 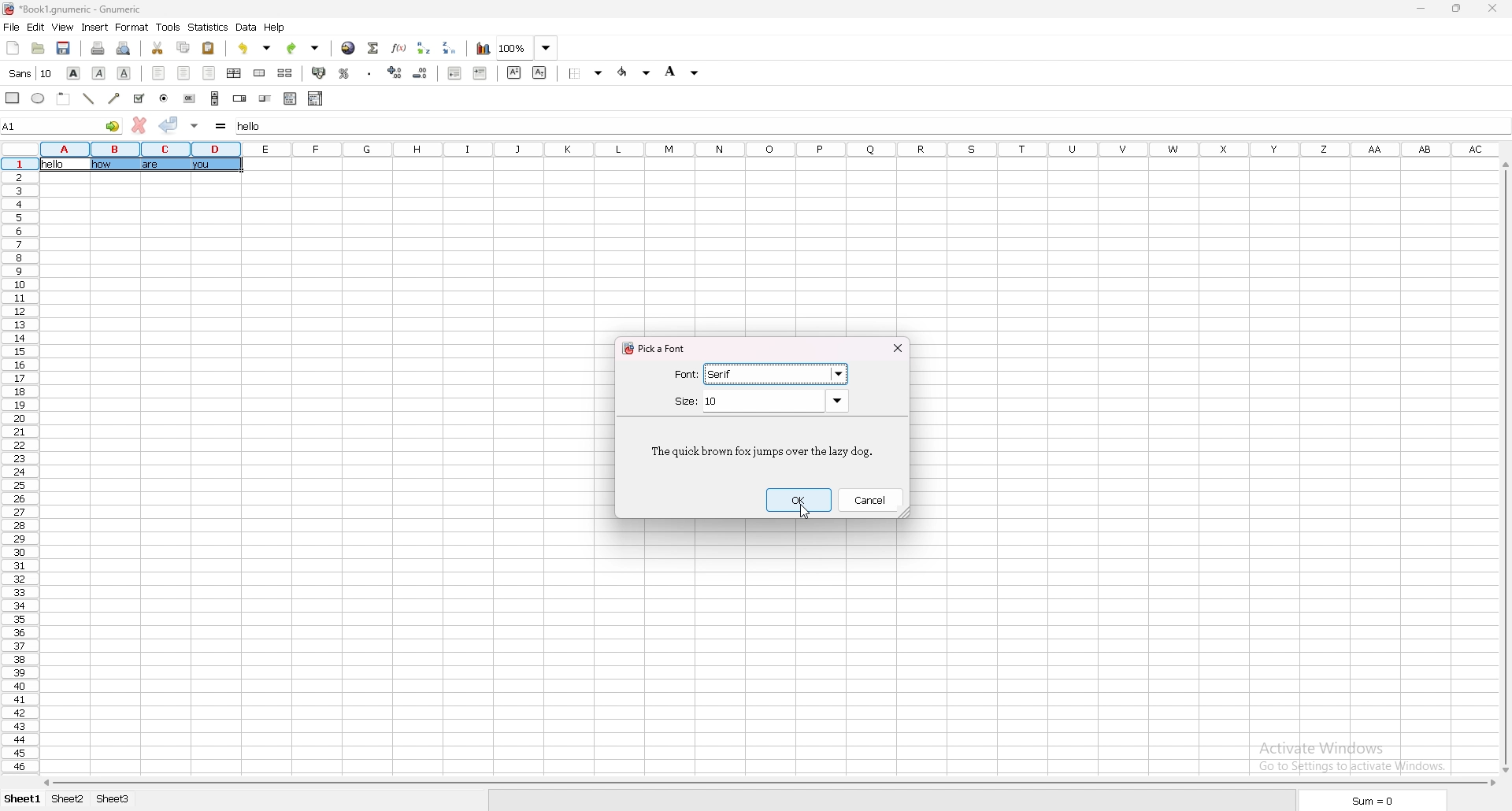 I want to click on font, so click(x=29, y=73).